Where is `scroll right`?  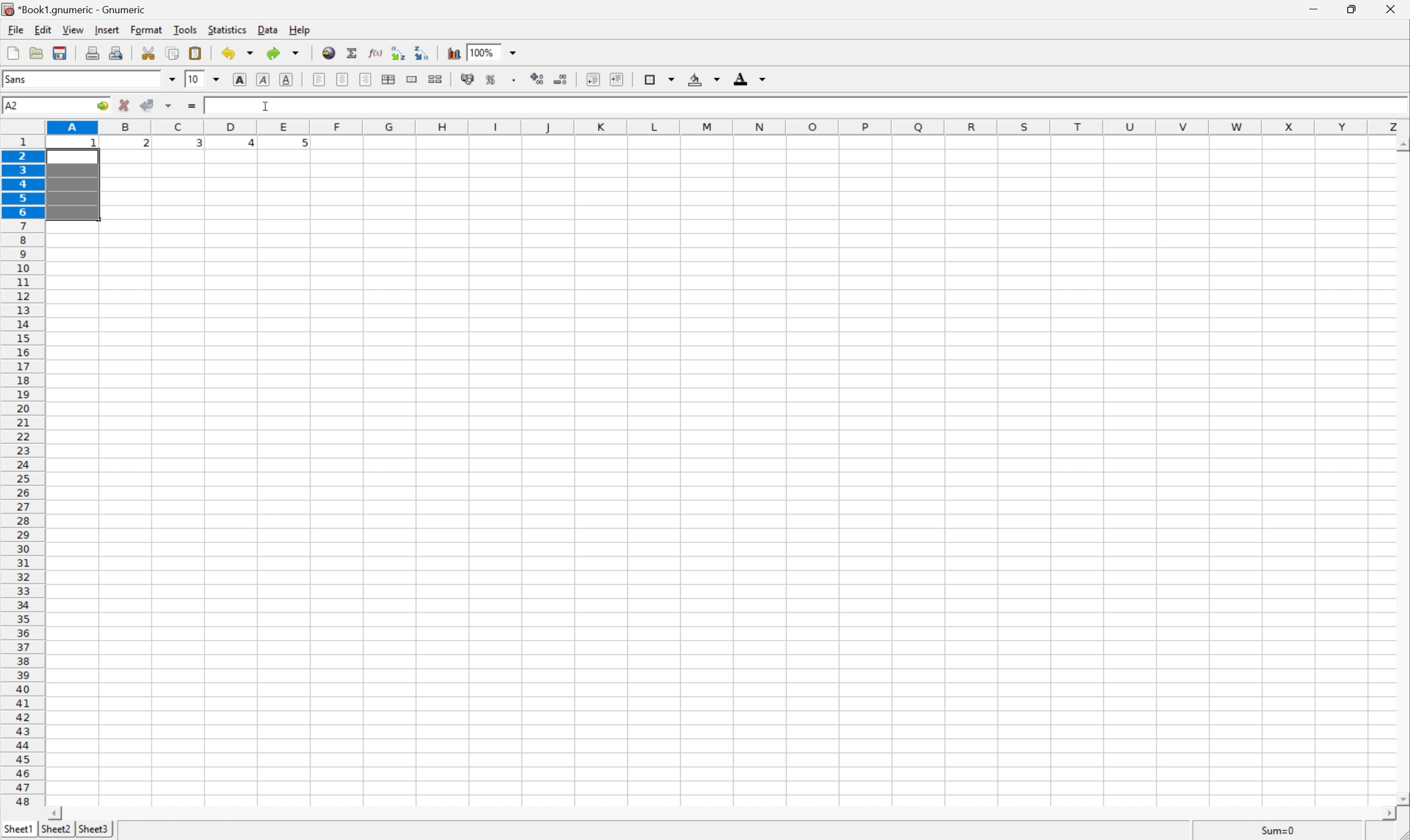
scroll right is located at coordinates (1390, 815).